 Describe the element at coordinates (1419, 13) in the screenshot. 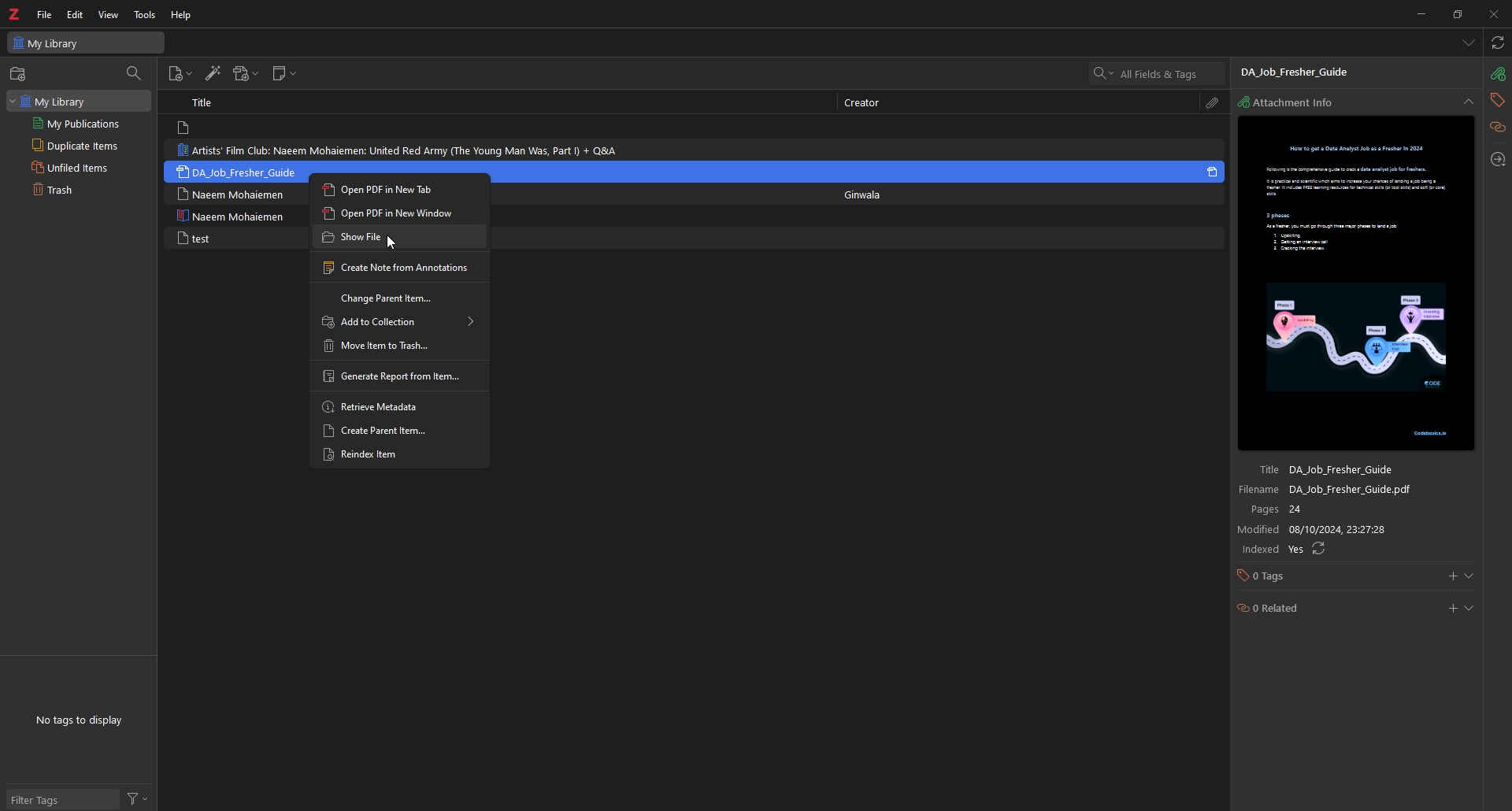

I see `minimize` at that location.